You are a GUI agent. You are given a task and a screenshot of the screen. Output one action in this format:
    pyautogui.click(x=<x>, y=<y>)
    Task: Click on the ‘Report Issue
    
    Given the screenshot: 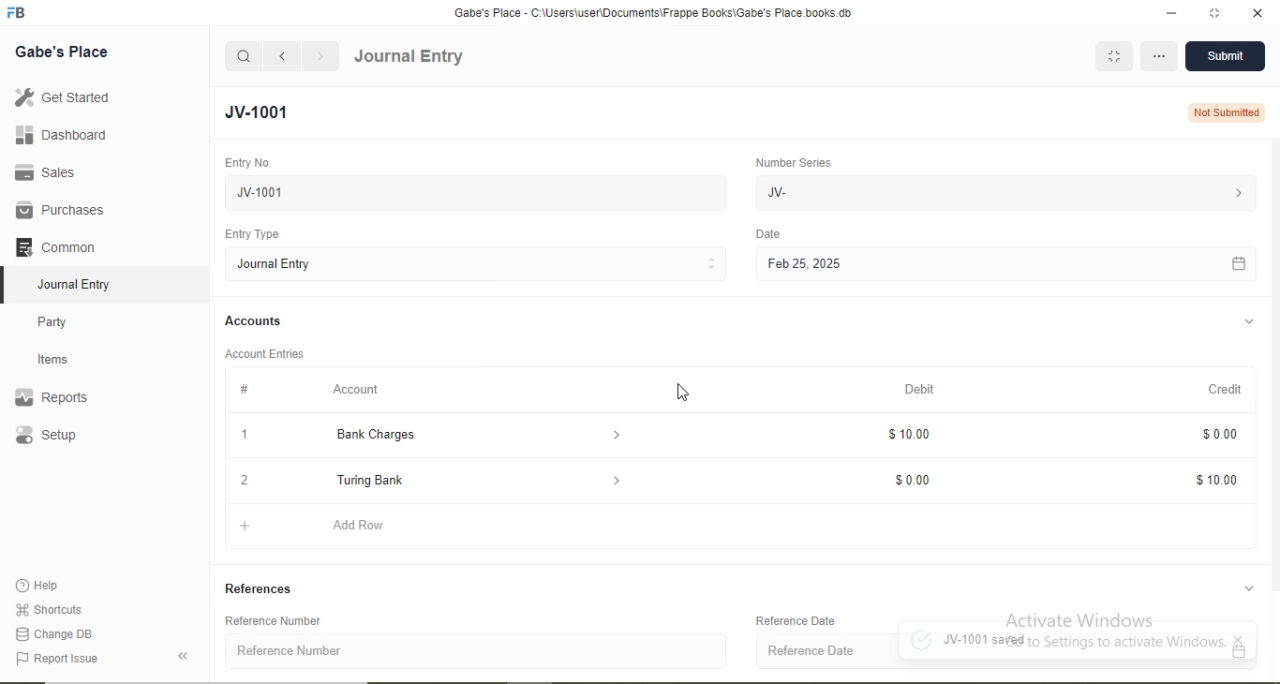 What is the action you would take?
    pyautogui.click(x=78, y=659)
    